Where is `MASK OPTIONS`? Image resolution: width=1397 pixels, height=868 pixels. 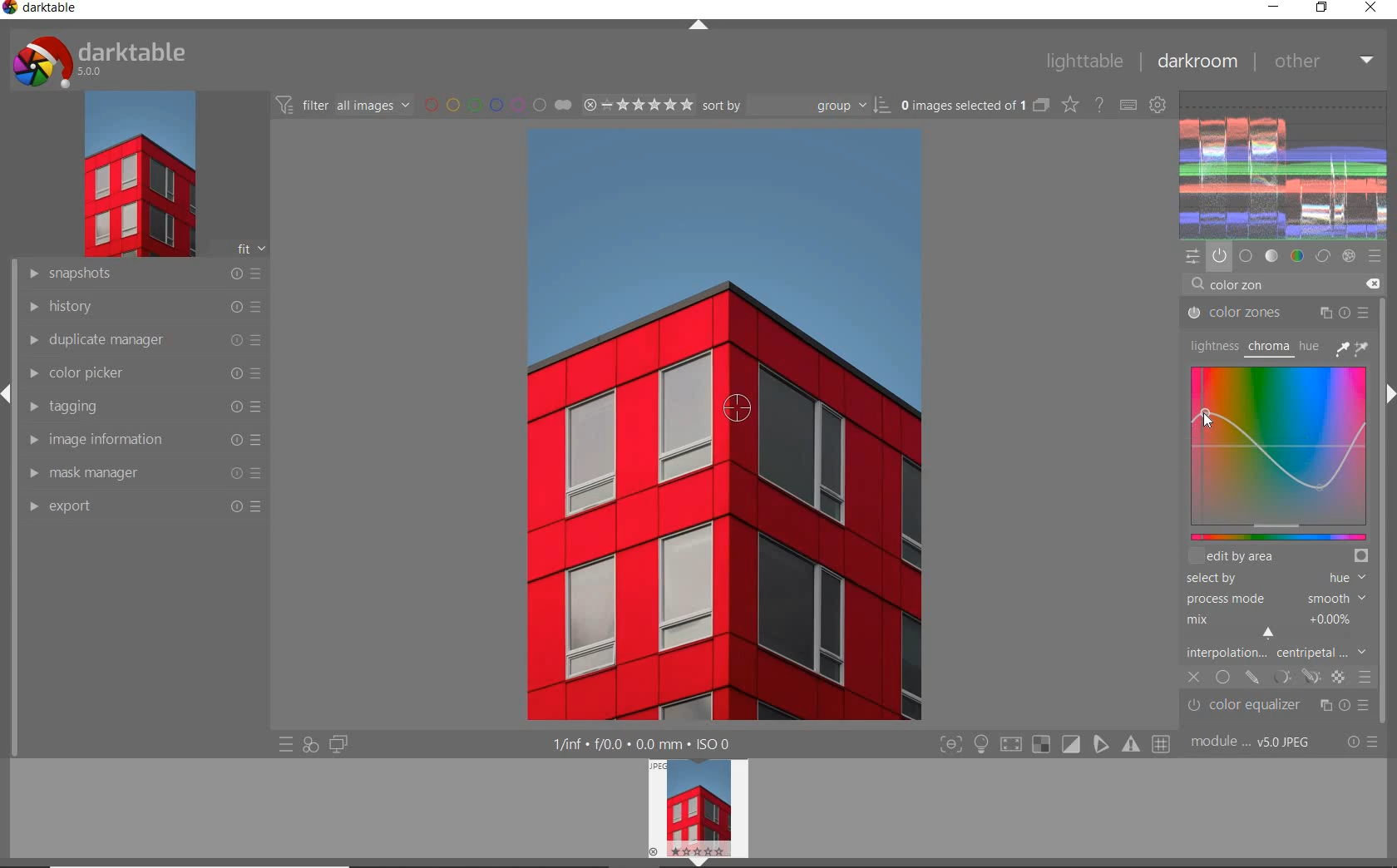
MASK OPTIONS is located at coordinates (1294, 677).